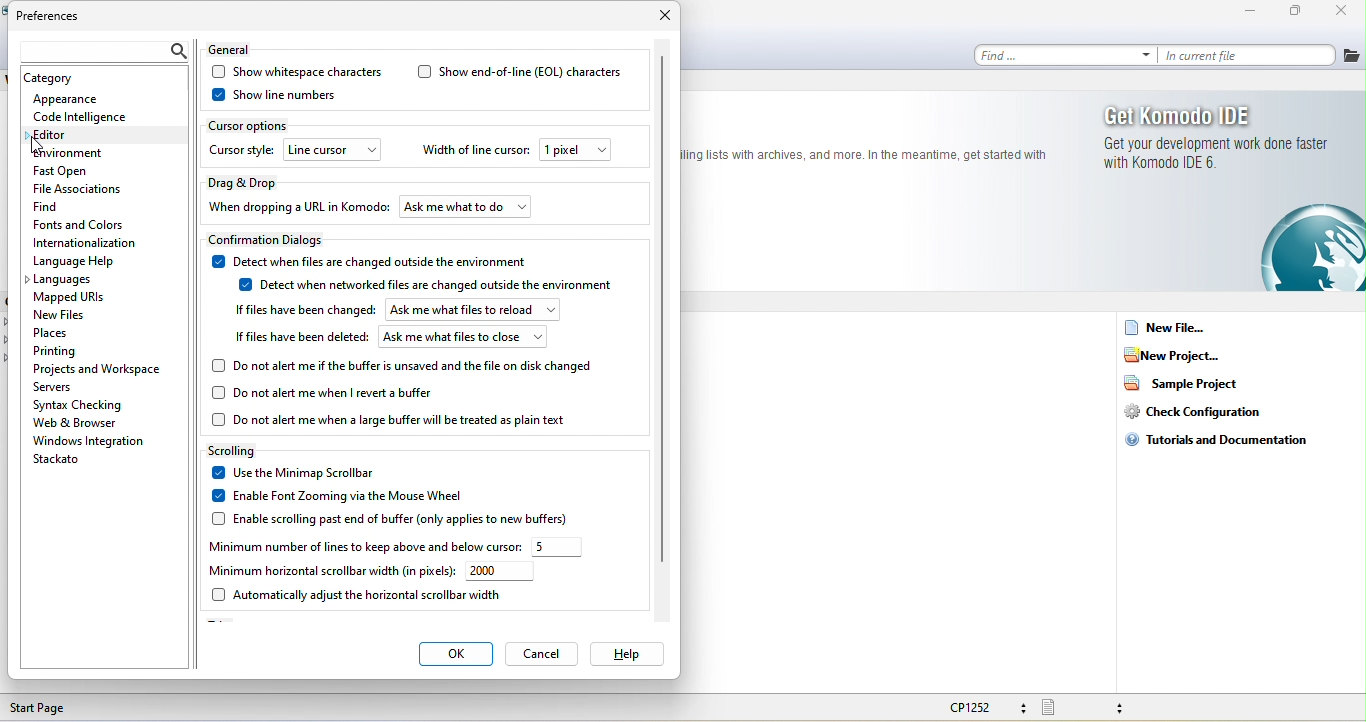 This screenshot has height=722, width=1366. I want to click on file associations, so click(81, 189).